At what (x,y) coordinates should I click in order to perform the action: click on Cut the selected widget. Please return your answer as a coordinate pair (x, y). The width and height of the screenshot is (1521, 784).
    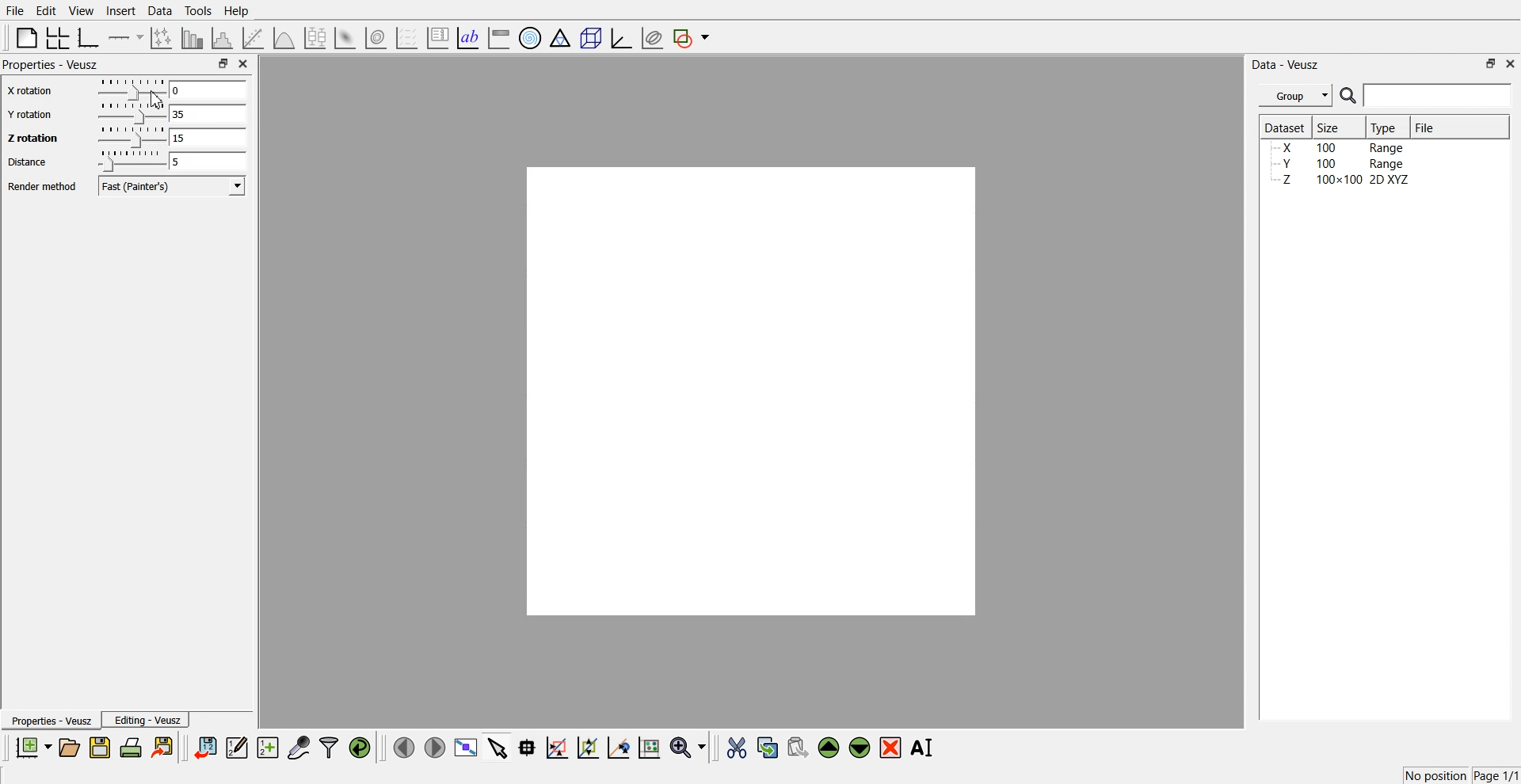
    Looking at the image, I should click on (737, 748).